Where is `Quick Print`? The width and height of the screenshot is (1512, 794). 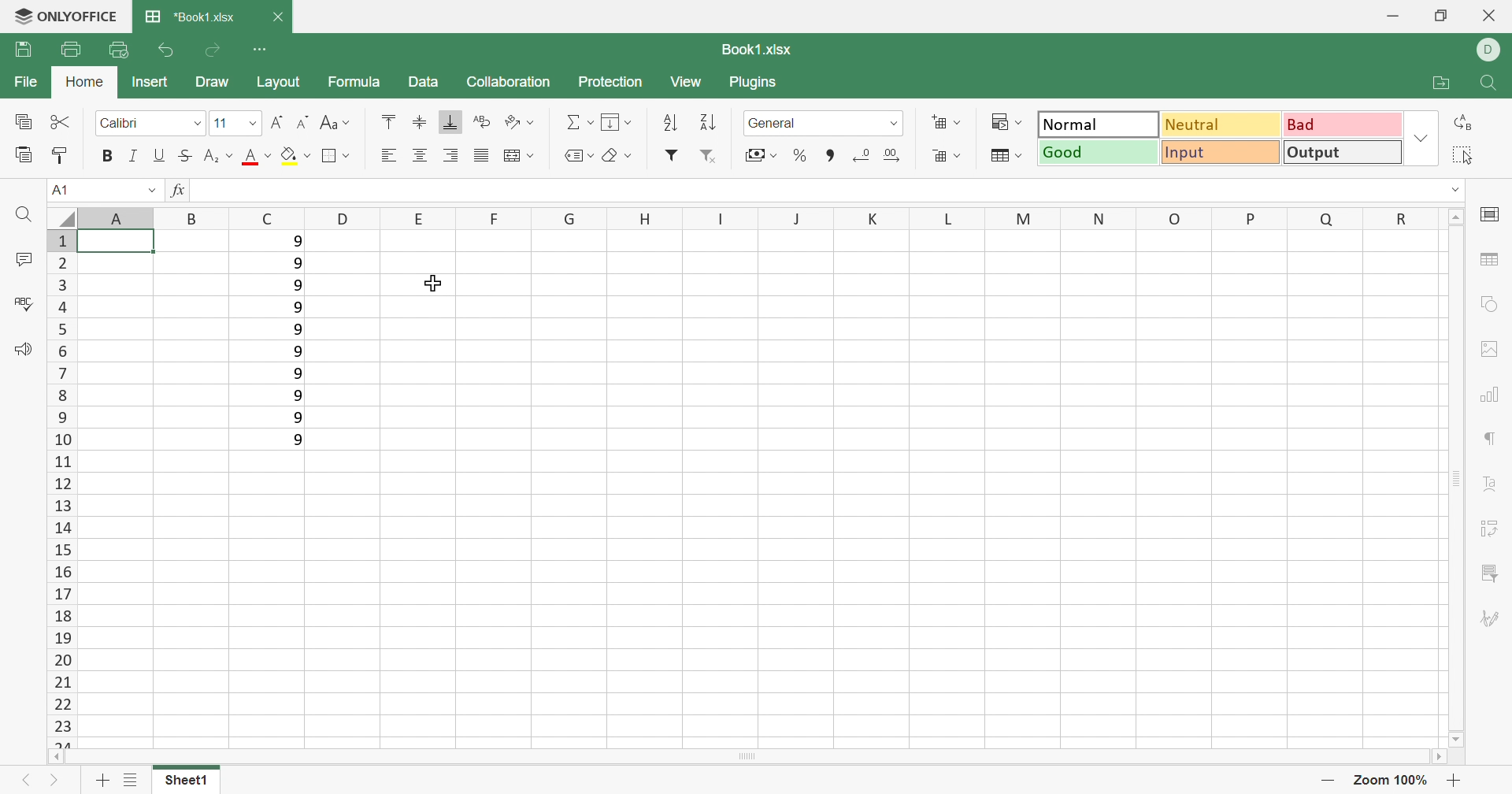
Quick Print is located at coordinates (120, 51).